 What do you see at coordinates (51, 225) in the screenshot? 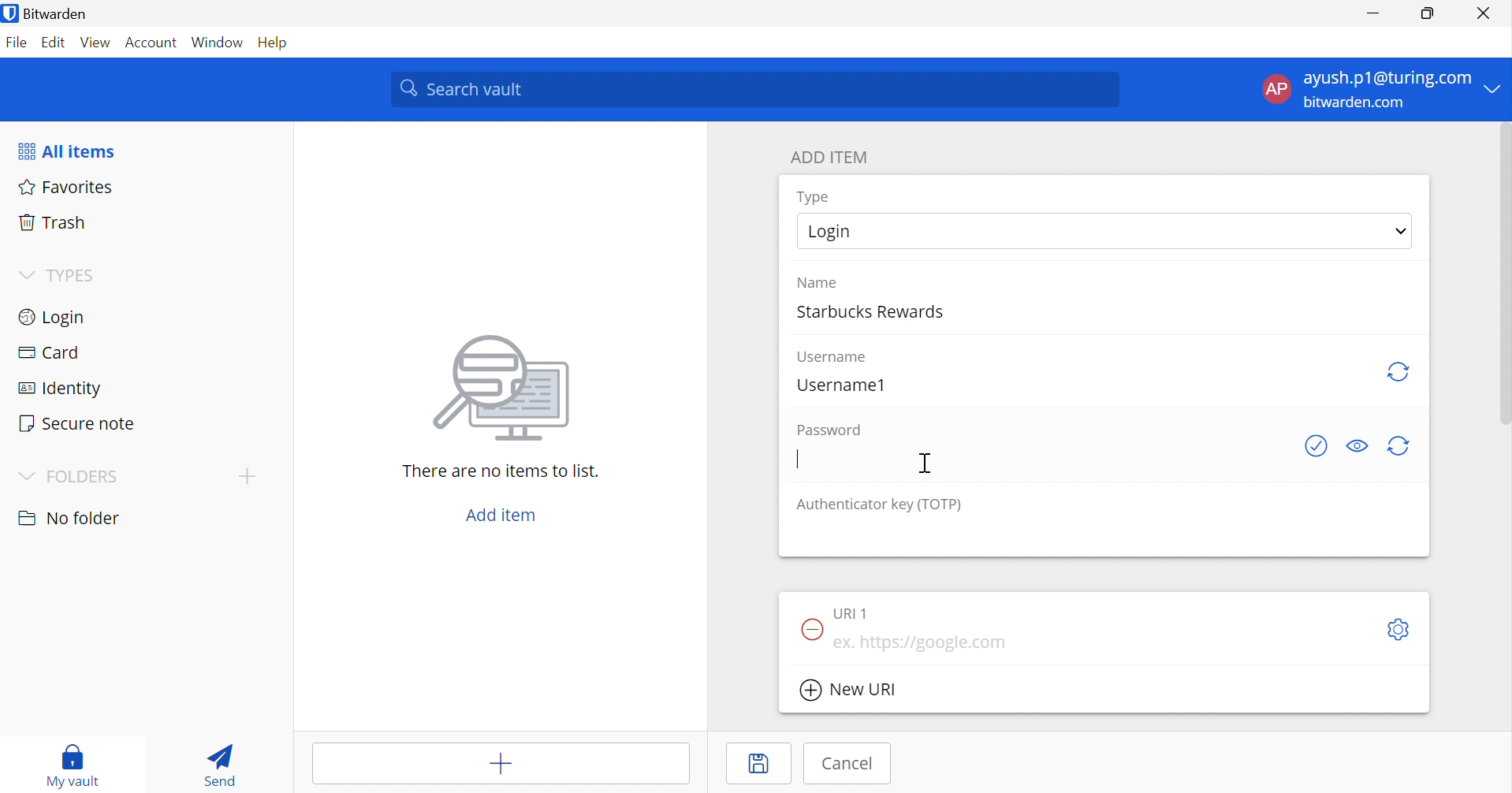
I see `Trash` at bounding box center [51, 225].